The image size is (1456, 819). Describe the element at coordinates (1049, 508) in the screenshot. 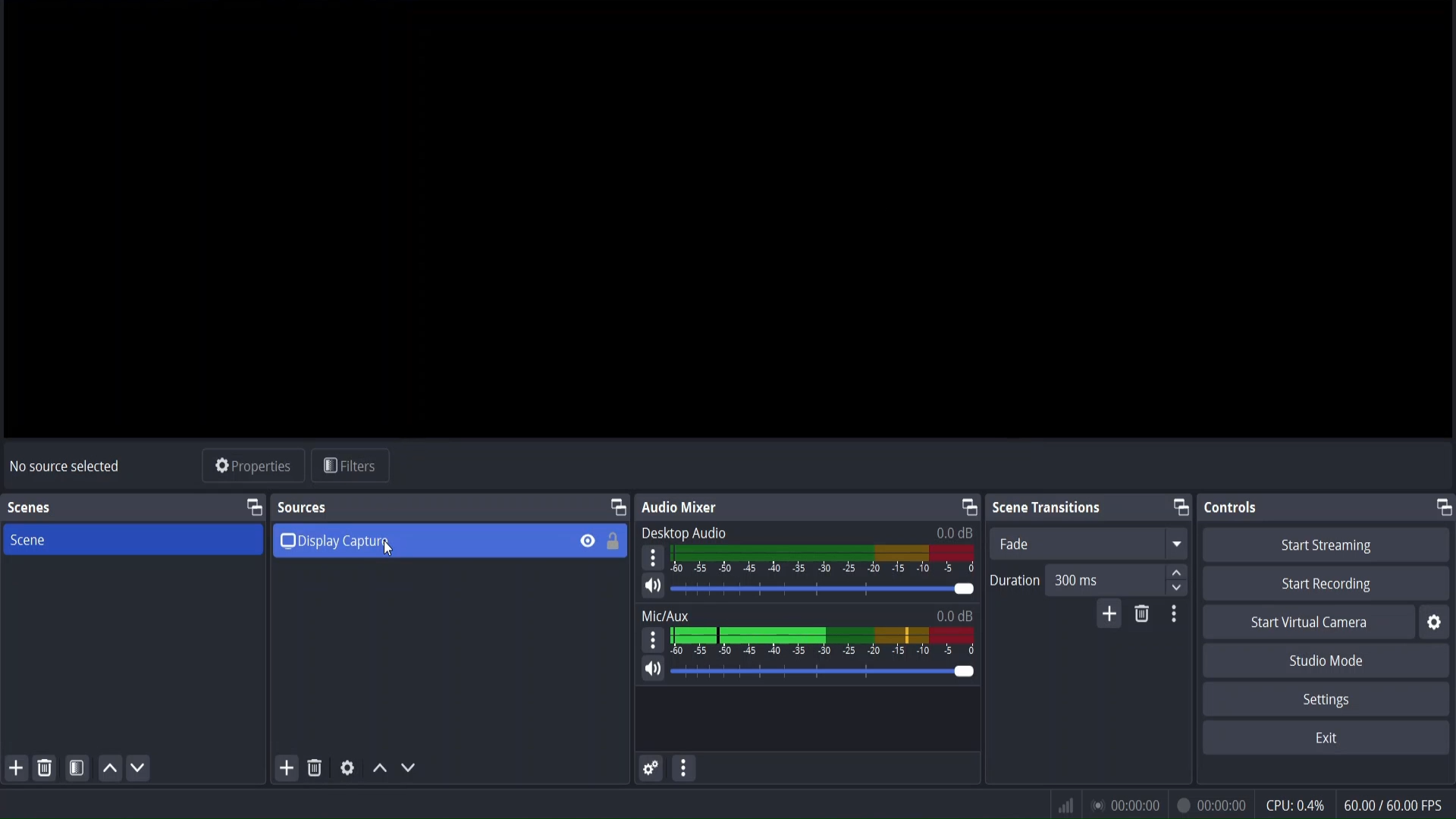

I see `scene transitions` at that location.